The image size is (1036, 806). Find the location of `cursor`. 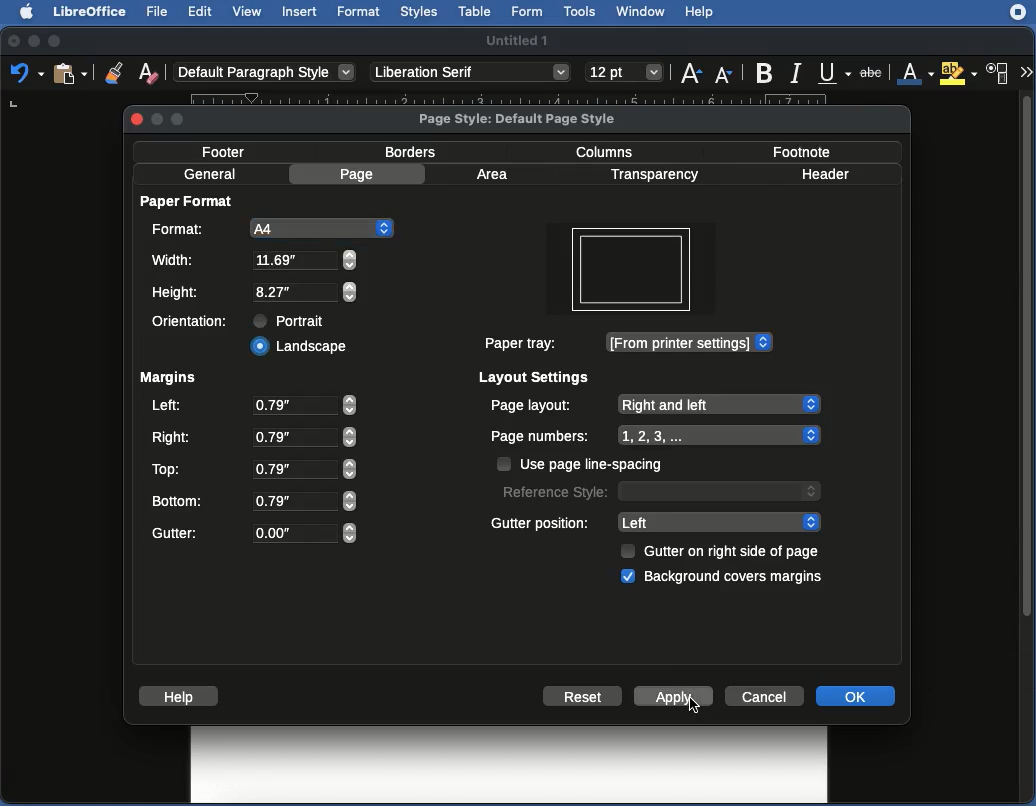

cursor is located at coordinates (694, 705).